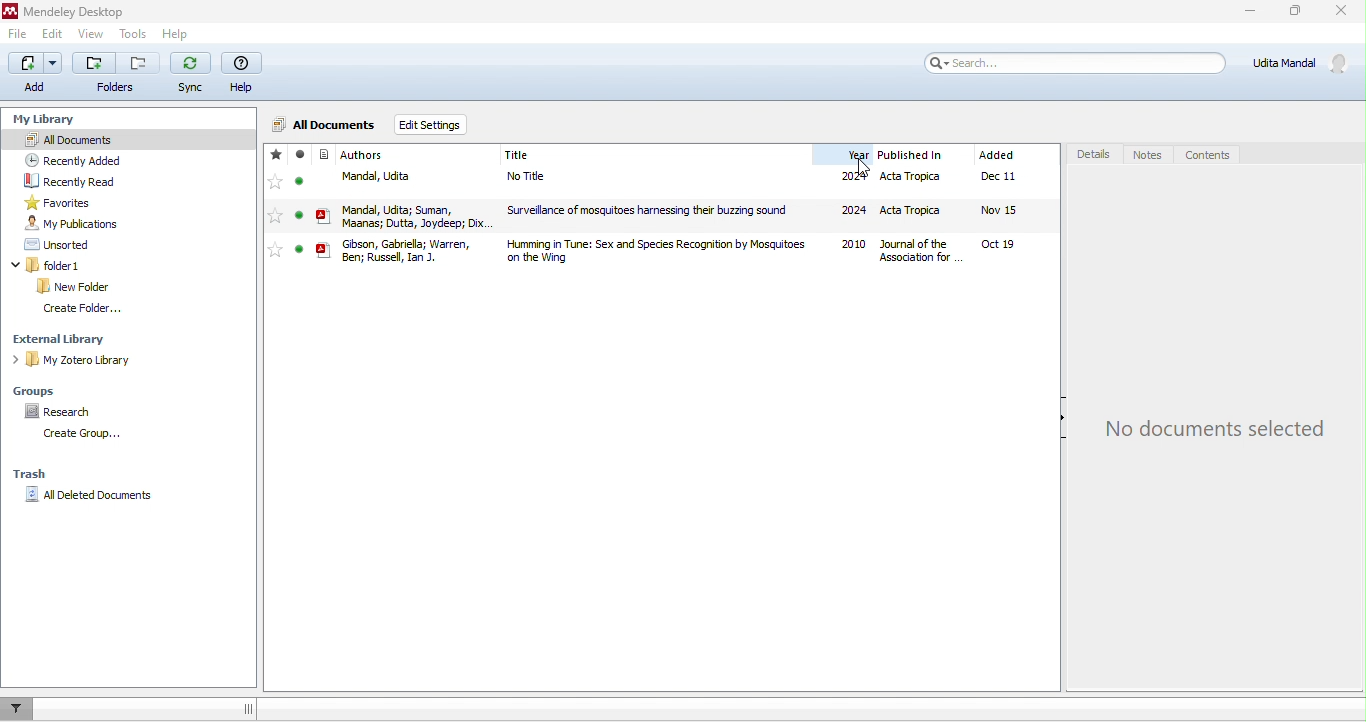 The image size is (1366, 722). I want to click on help, so click(174, 35).